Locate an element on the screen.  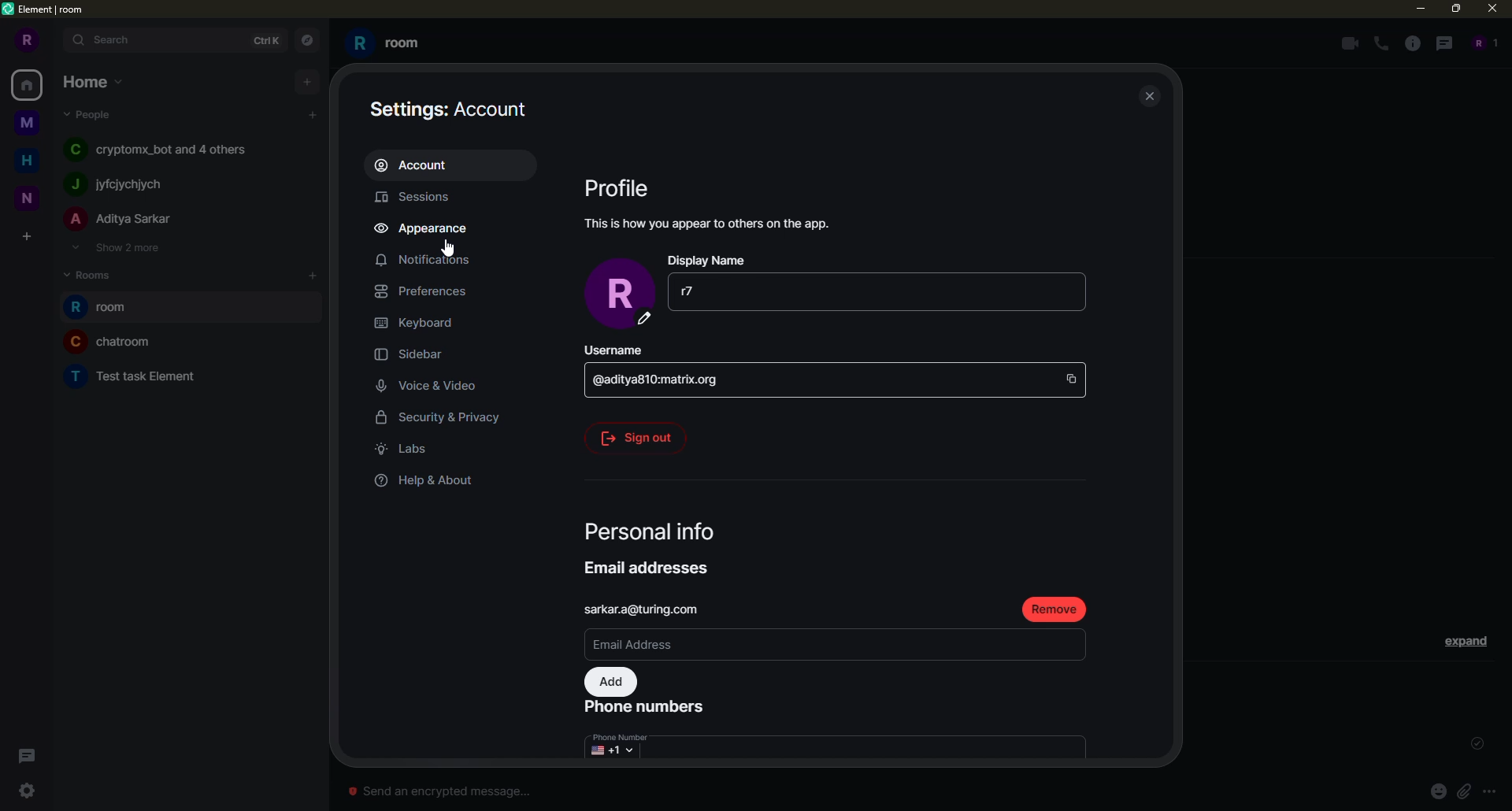
account is located at coordinates (452, 109).